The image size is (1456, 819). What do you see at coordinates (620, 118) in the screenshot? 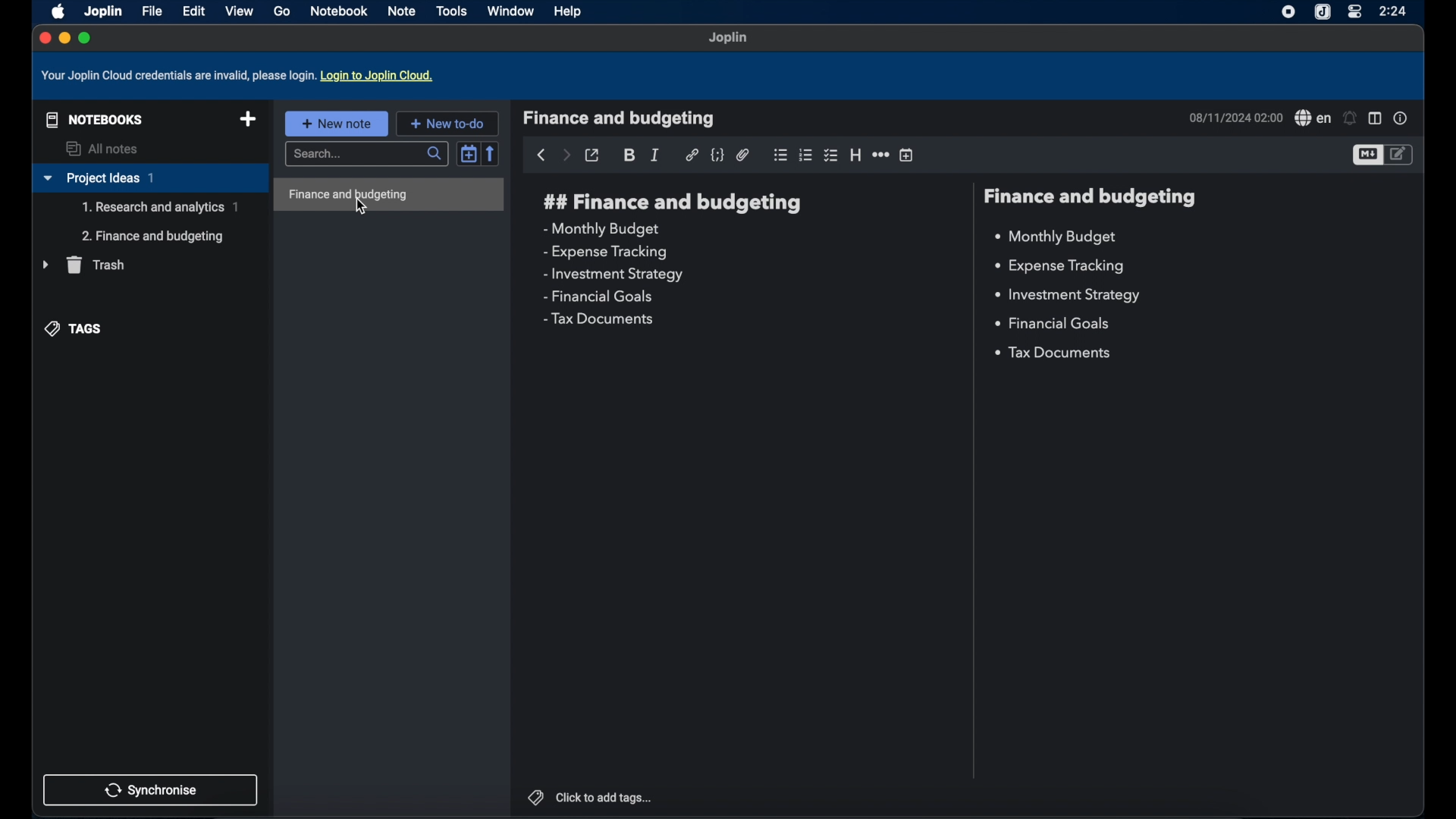
I see `finance and budgeting` at bounding box center [620, 118].